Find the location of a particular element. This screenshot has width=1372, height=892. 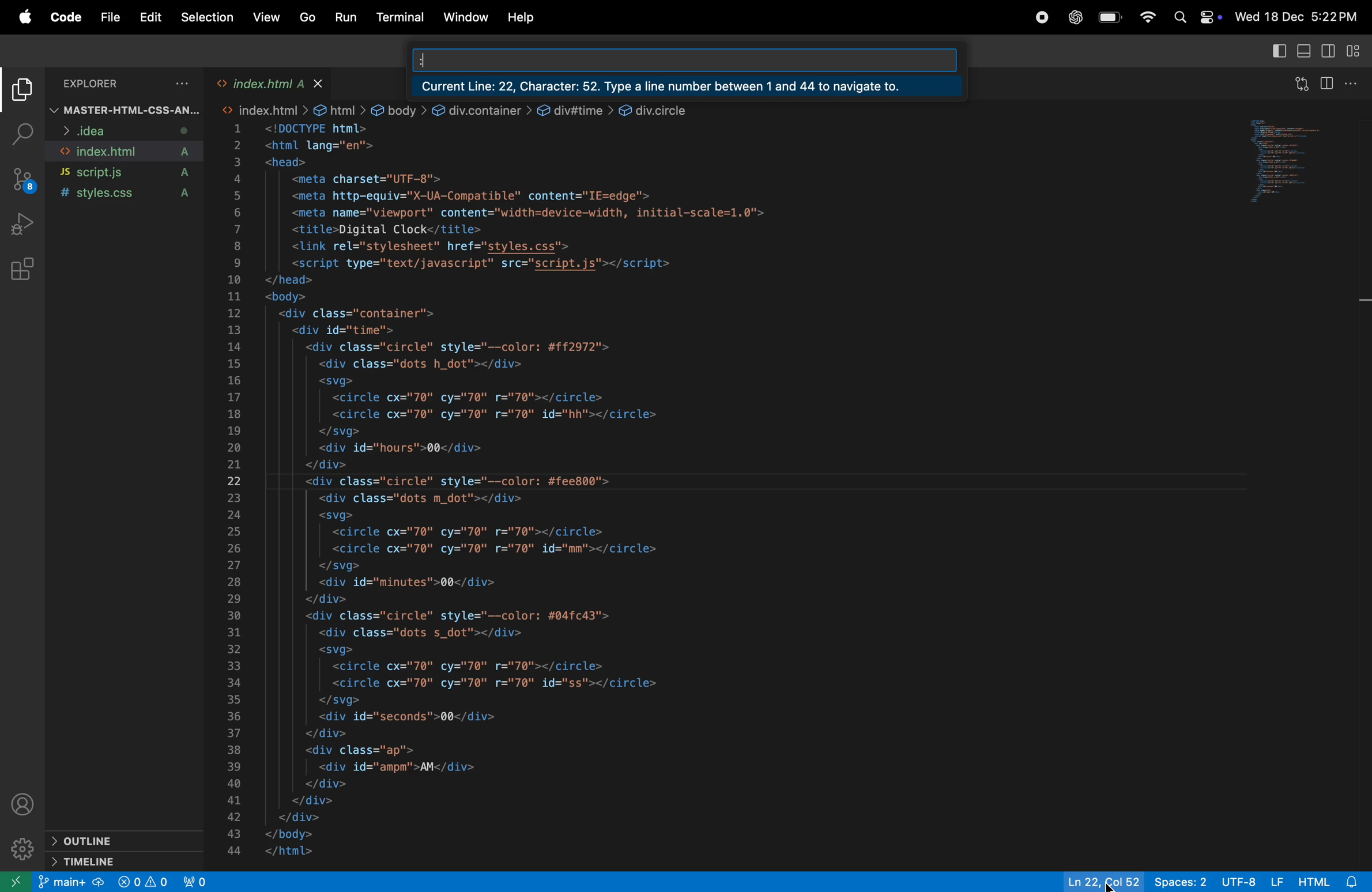

time line is located at coordinates (133, 860).